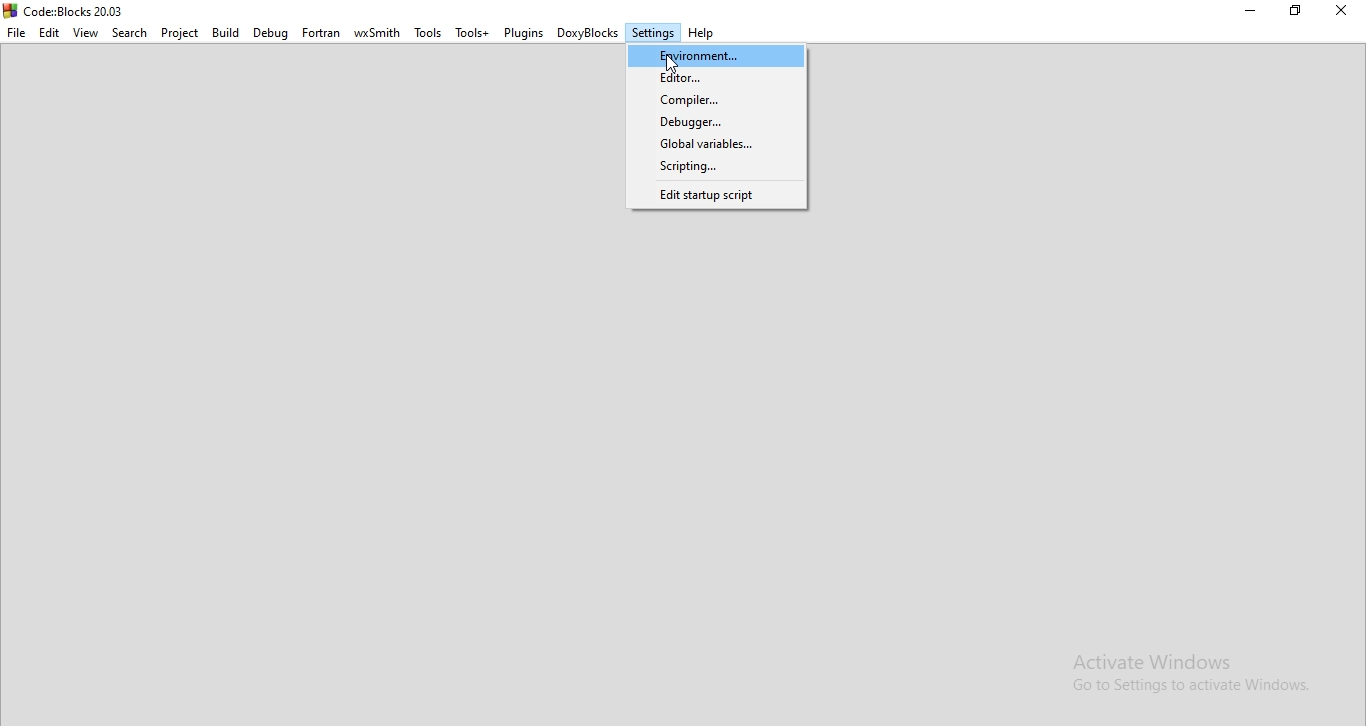  Describe the element at coordinates (270, 34) in the screenshot. I see `Debug` at that location.